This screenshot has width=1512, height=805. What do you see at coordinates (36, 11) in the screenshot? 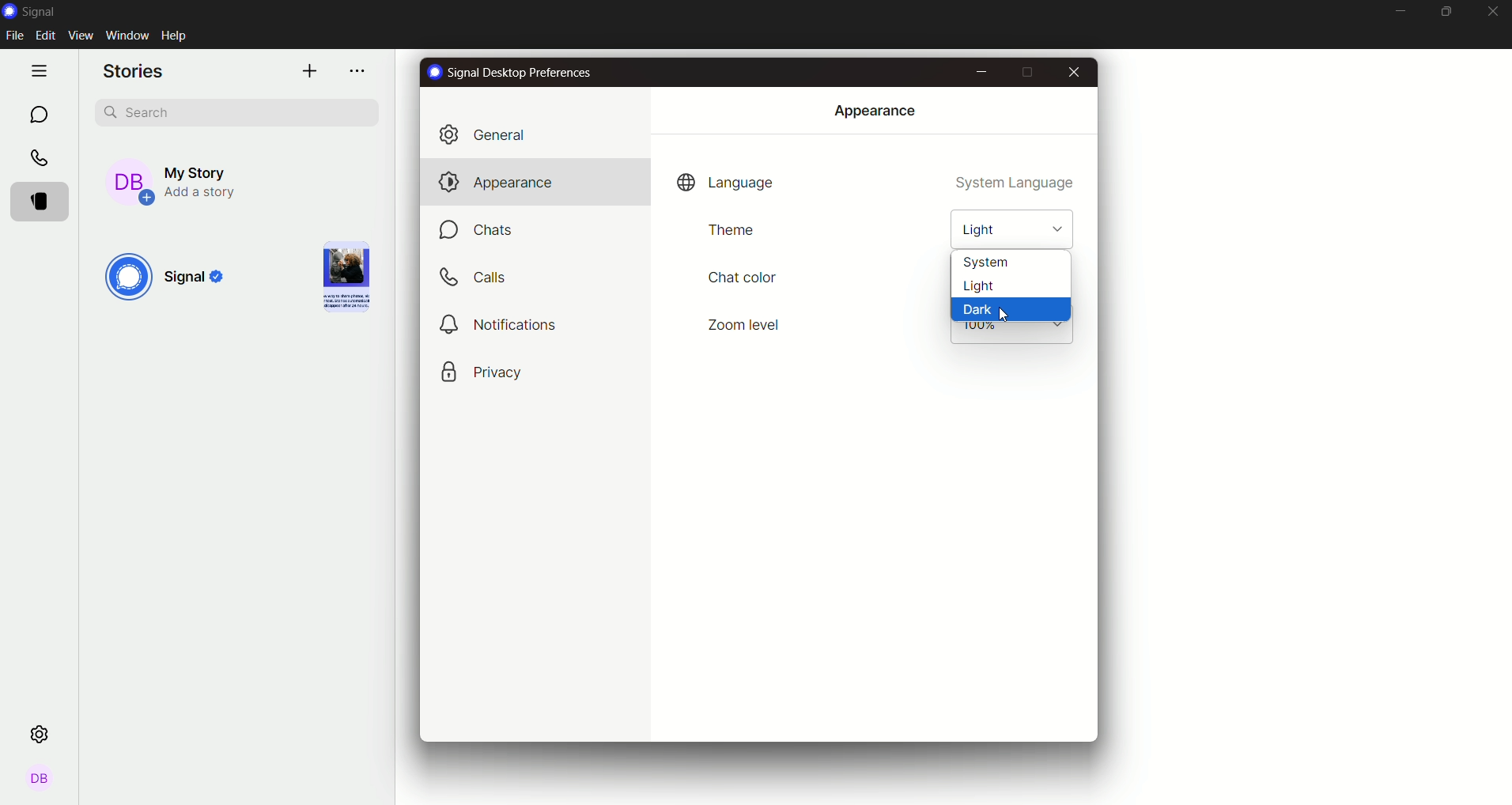
I see `signal logo` at bounding box center [36, 11].